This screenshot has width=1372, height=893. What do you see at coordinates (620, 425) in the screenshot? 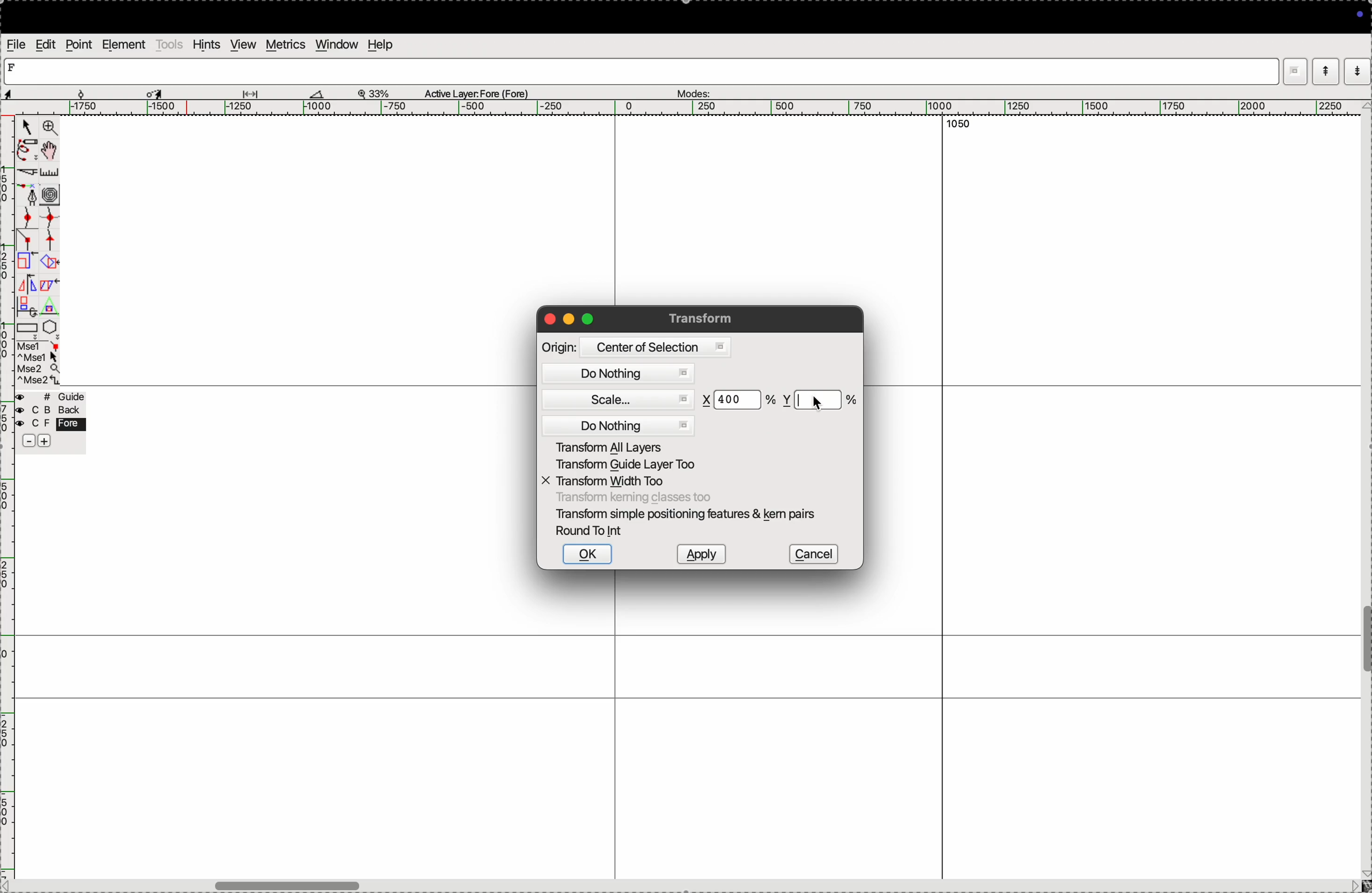
I see `do nothing` at bounding box center [620, 425].